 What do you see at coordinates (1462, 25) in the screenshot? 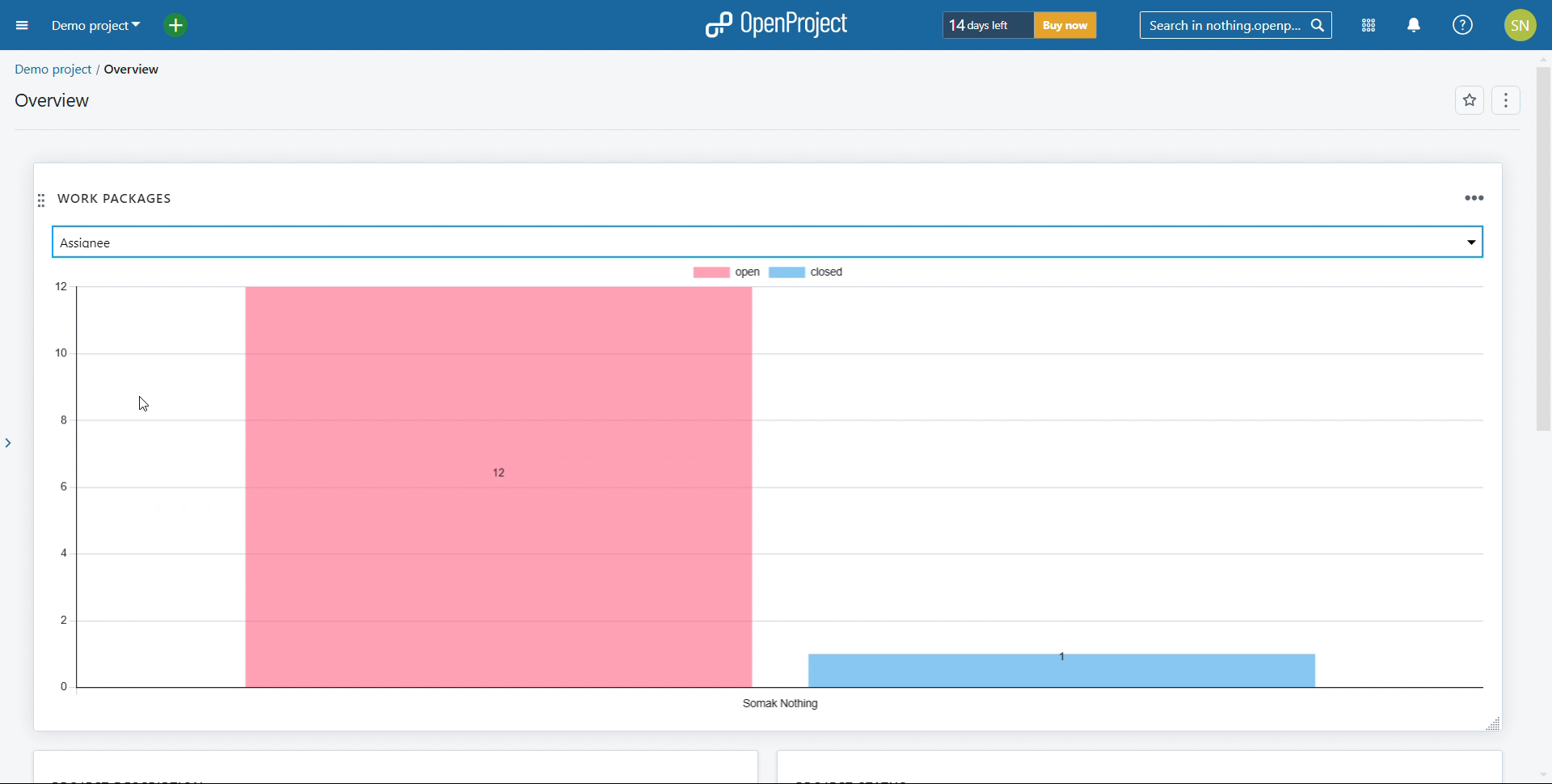
I see `help` at bounding box center [1462, 25].